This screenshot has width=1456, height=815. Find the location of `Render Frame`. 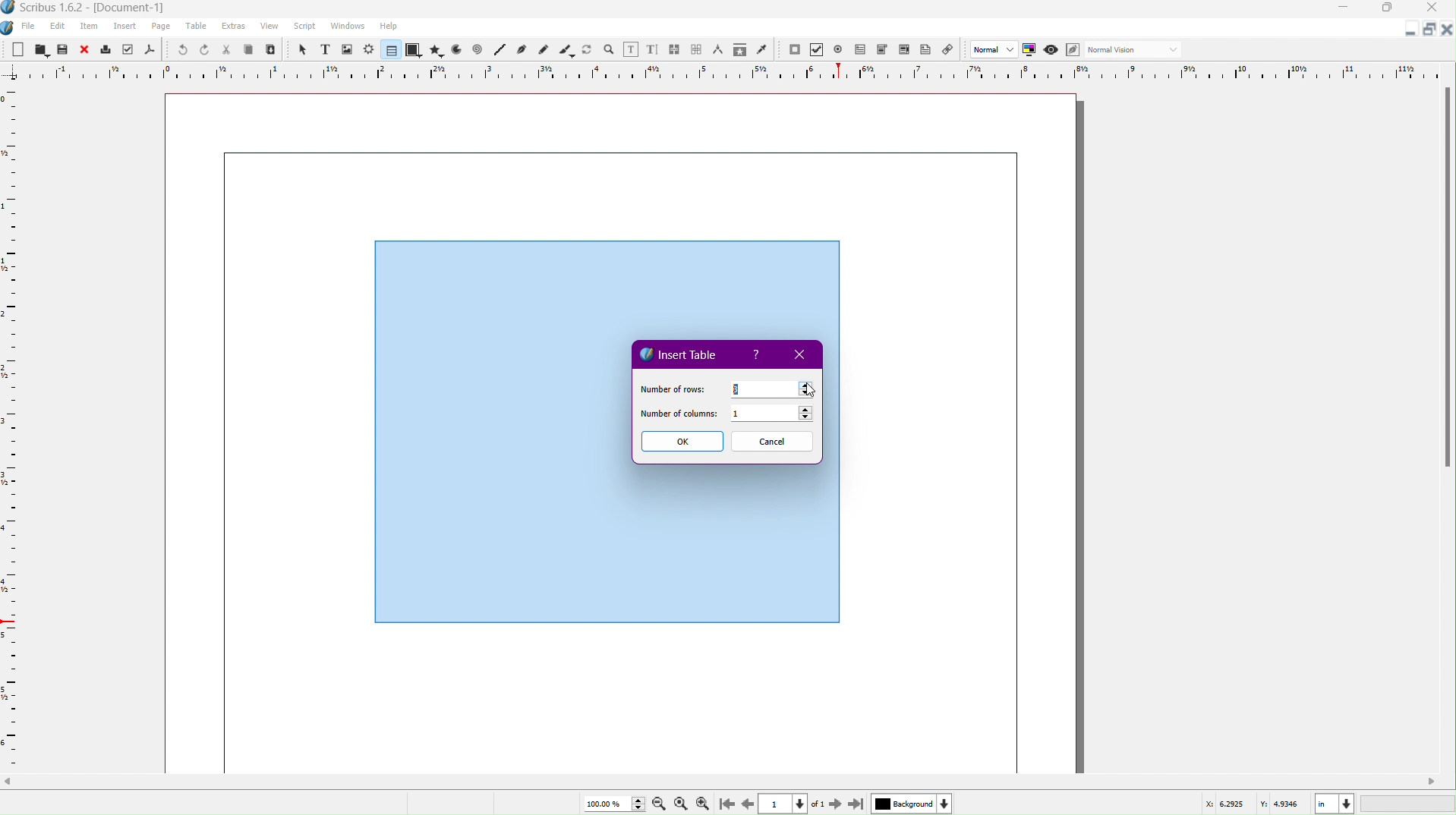

Render Frame is located at coordinates (370, 49).